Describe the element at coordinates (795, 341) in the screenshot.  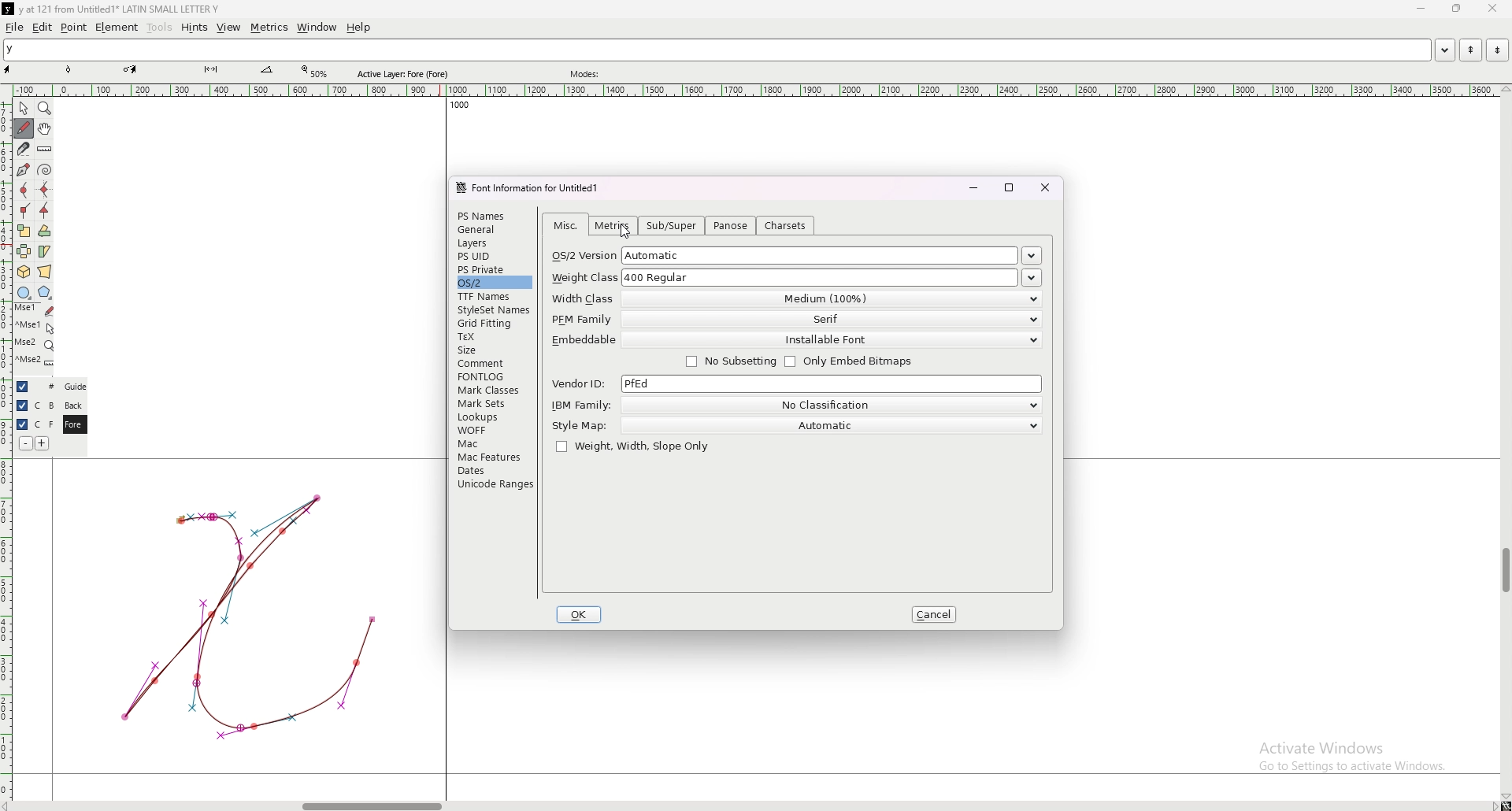
I see `embeddable installable font` at that location.